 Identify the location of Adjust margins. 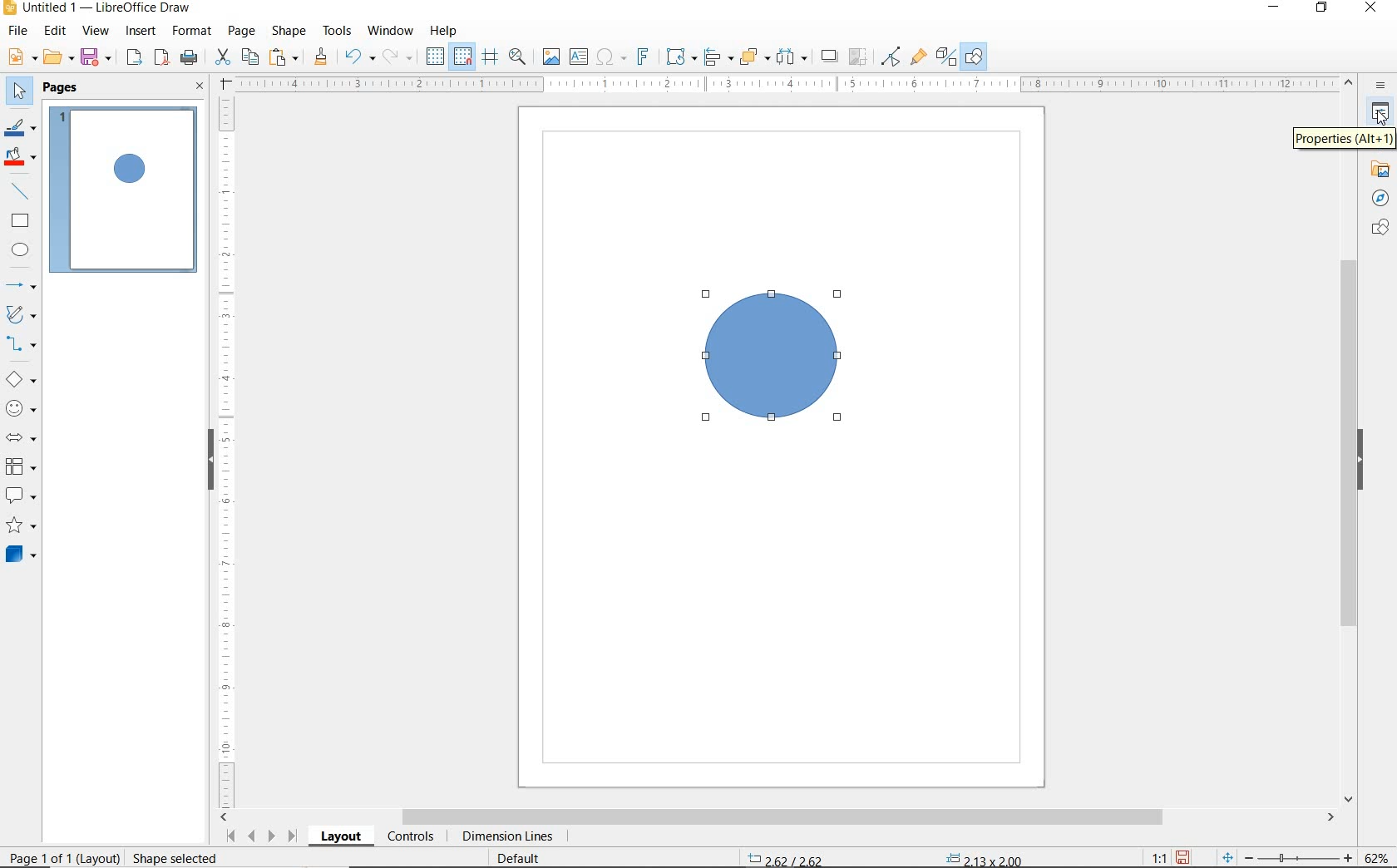
(224, 81).